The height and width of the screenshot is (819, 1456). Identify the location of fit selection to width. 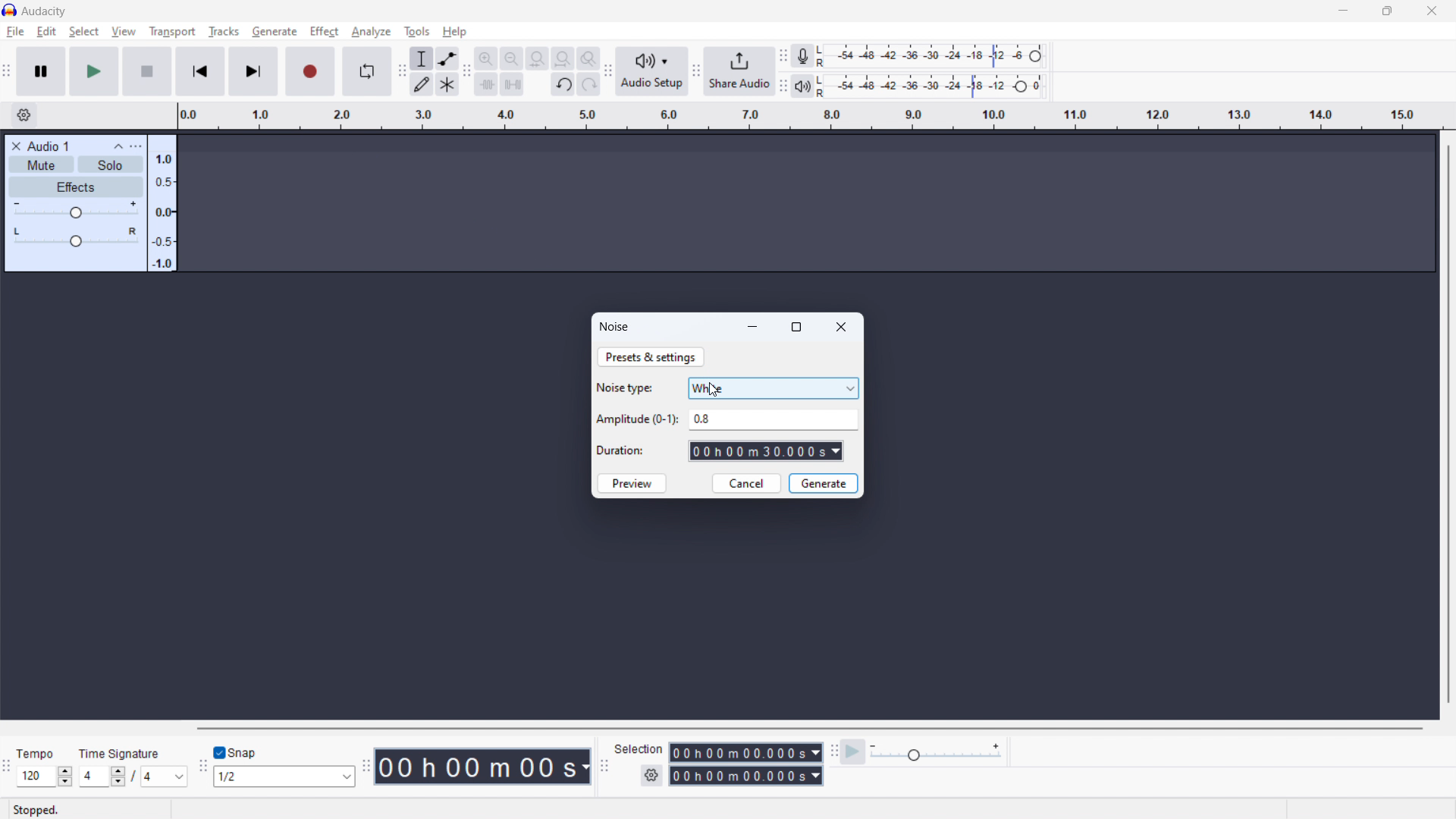
(537, 58).